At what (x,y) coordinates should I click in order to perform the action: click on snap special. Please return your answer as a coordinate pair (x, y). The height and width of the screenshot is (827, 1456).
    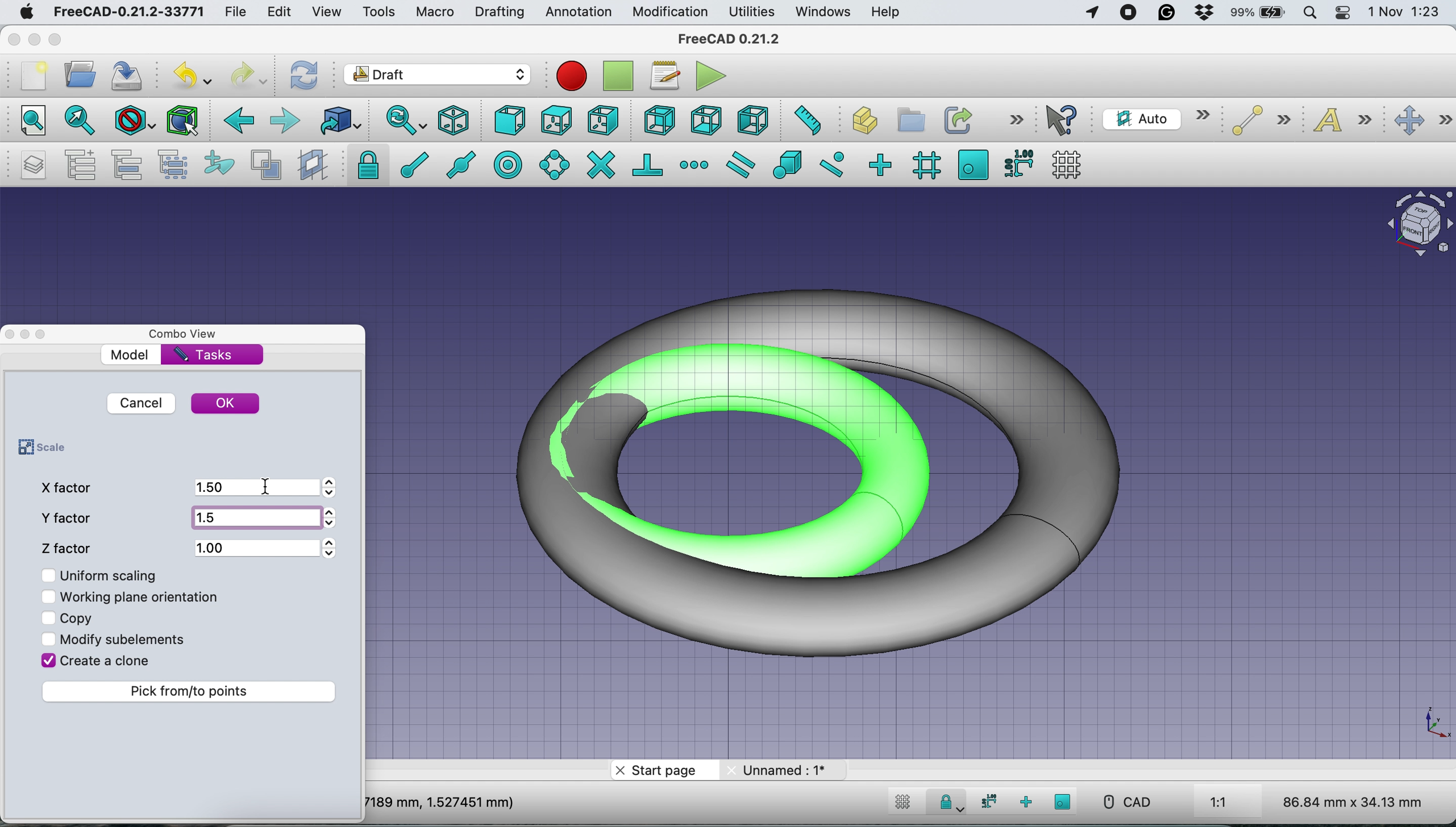
    Looking at the image, I should click on (788, 165).